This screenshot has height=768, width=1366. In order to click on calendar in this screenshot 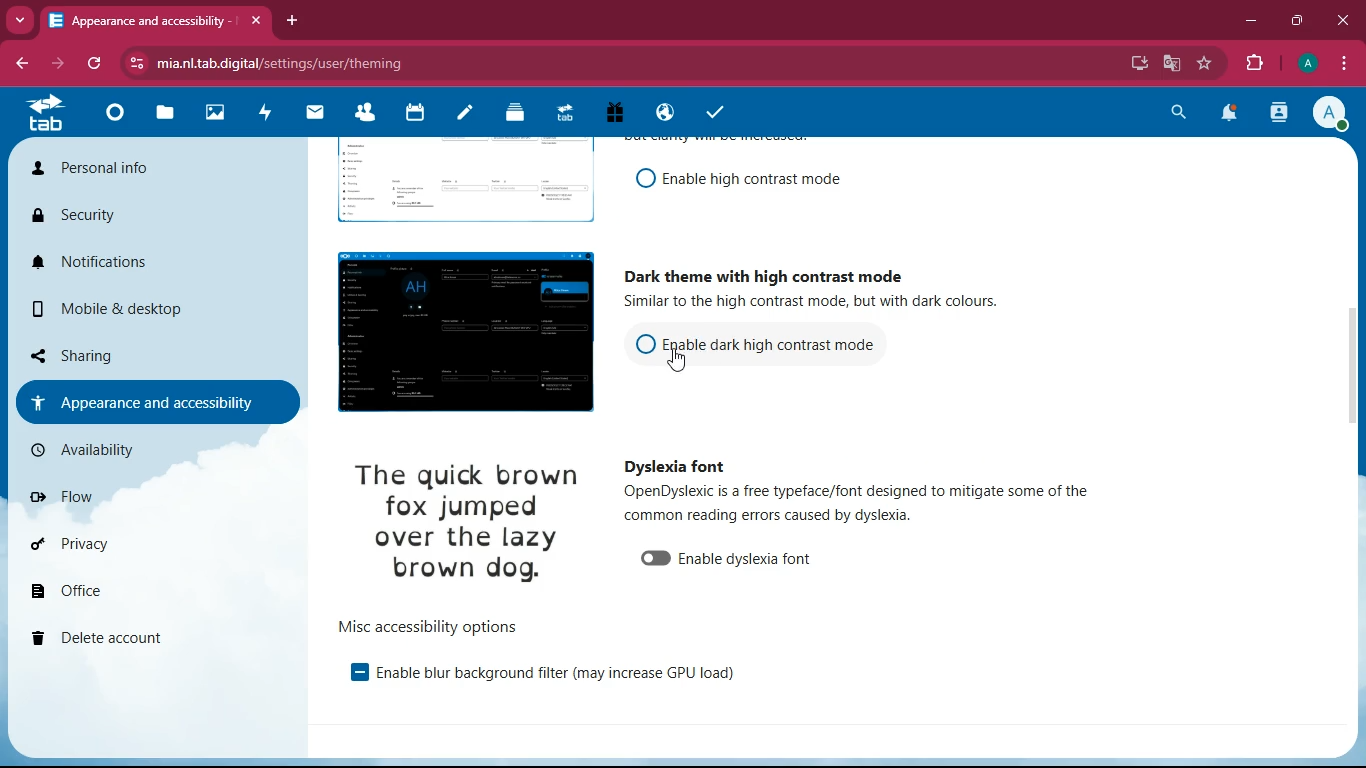, I will do `click(419, 118)`.